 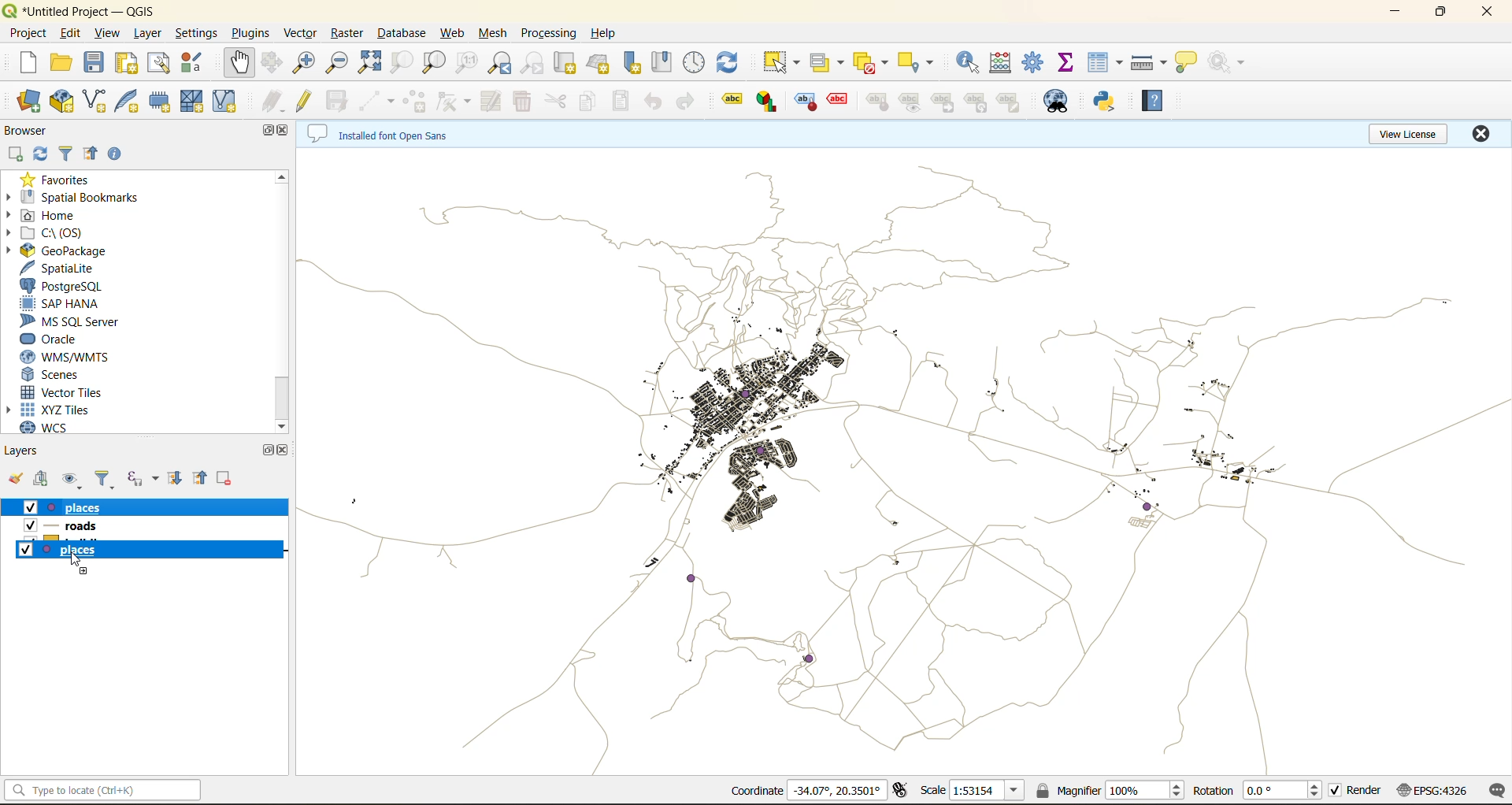 I want to click on wcs, so click(x=60, y=426).